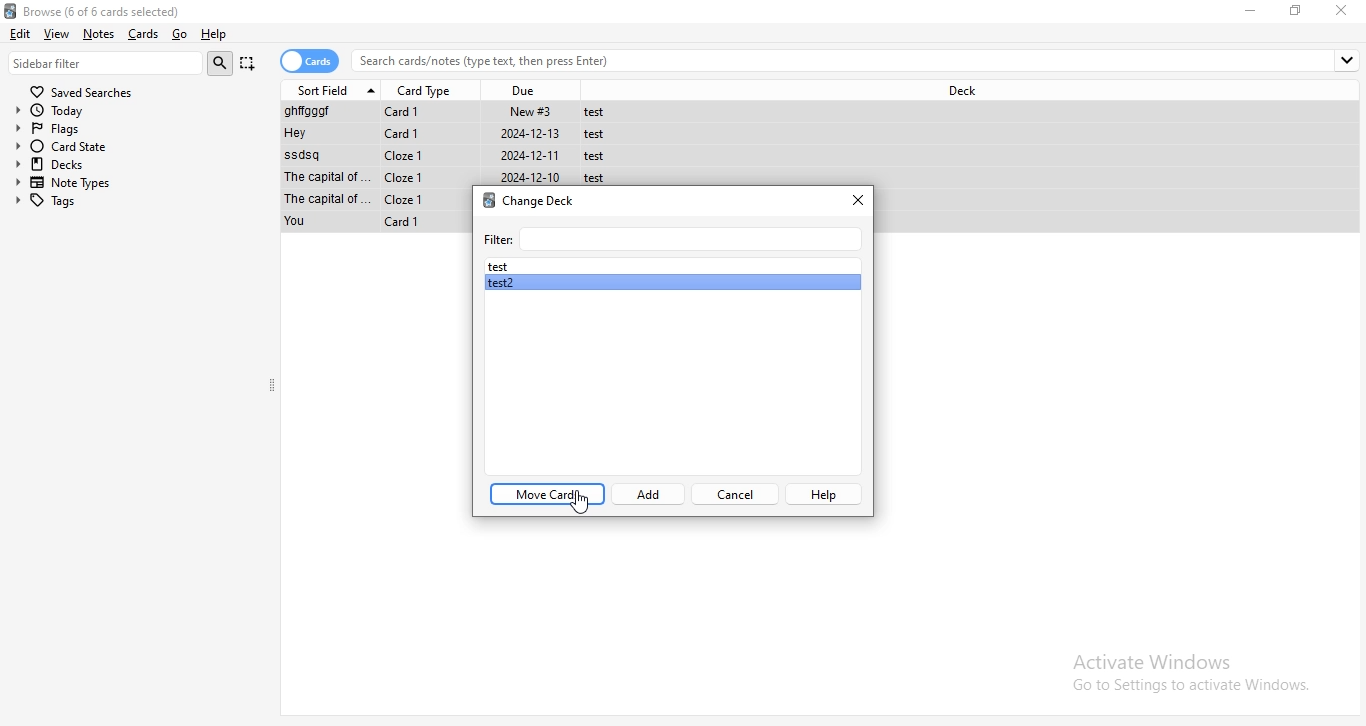  What do you see at coordinates (311, 61) in the screenshot?
I see `cards` at bounding box center [311, 61].